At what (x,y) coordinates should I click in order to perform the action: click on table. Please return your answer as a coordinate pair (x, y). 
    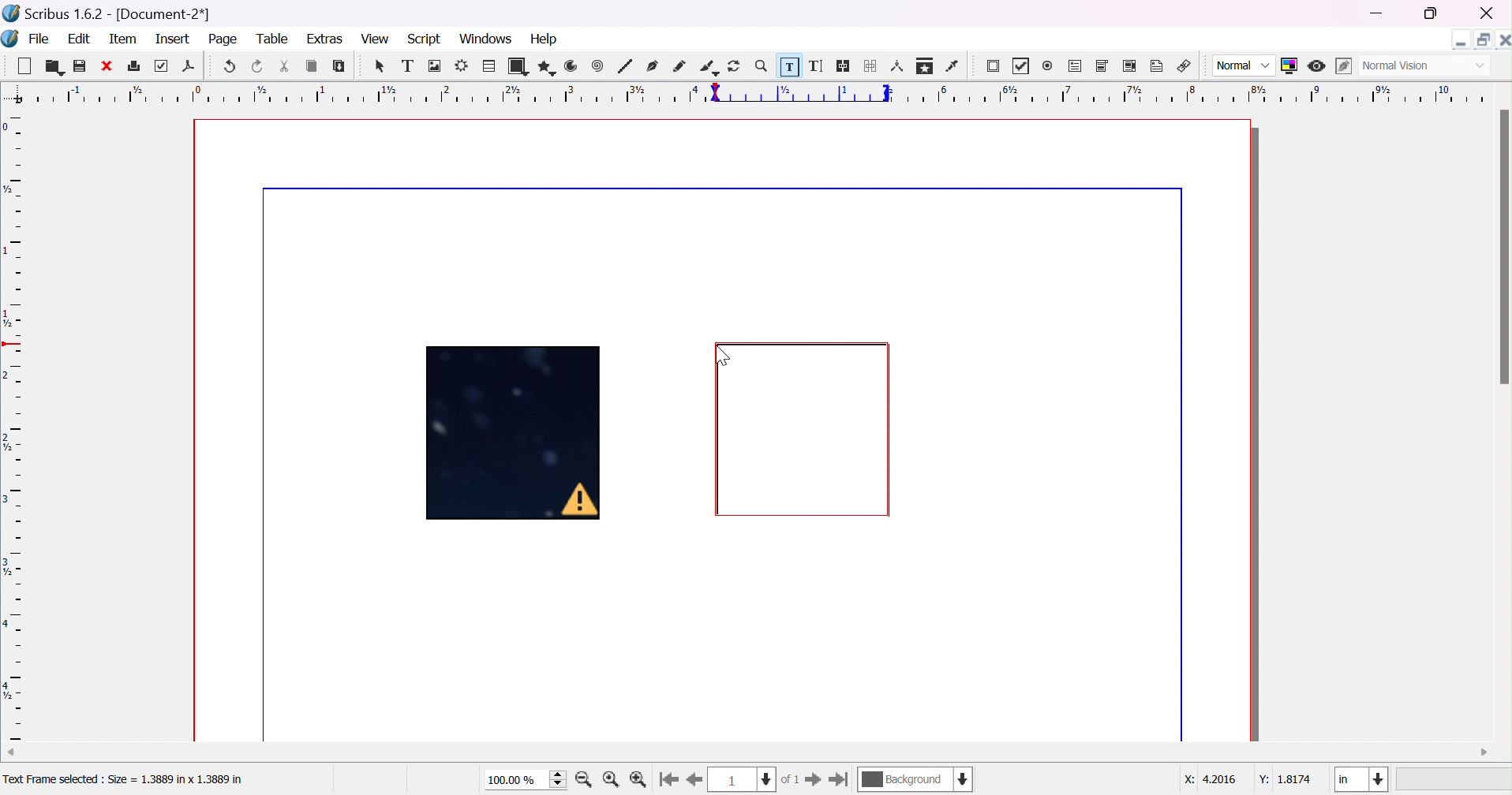
    Looking at the image, I should click on (488, 64).